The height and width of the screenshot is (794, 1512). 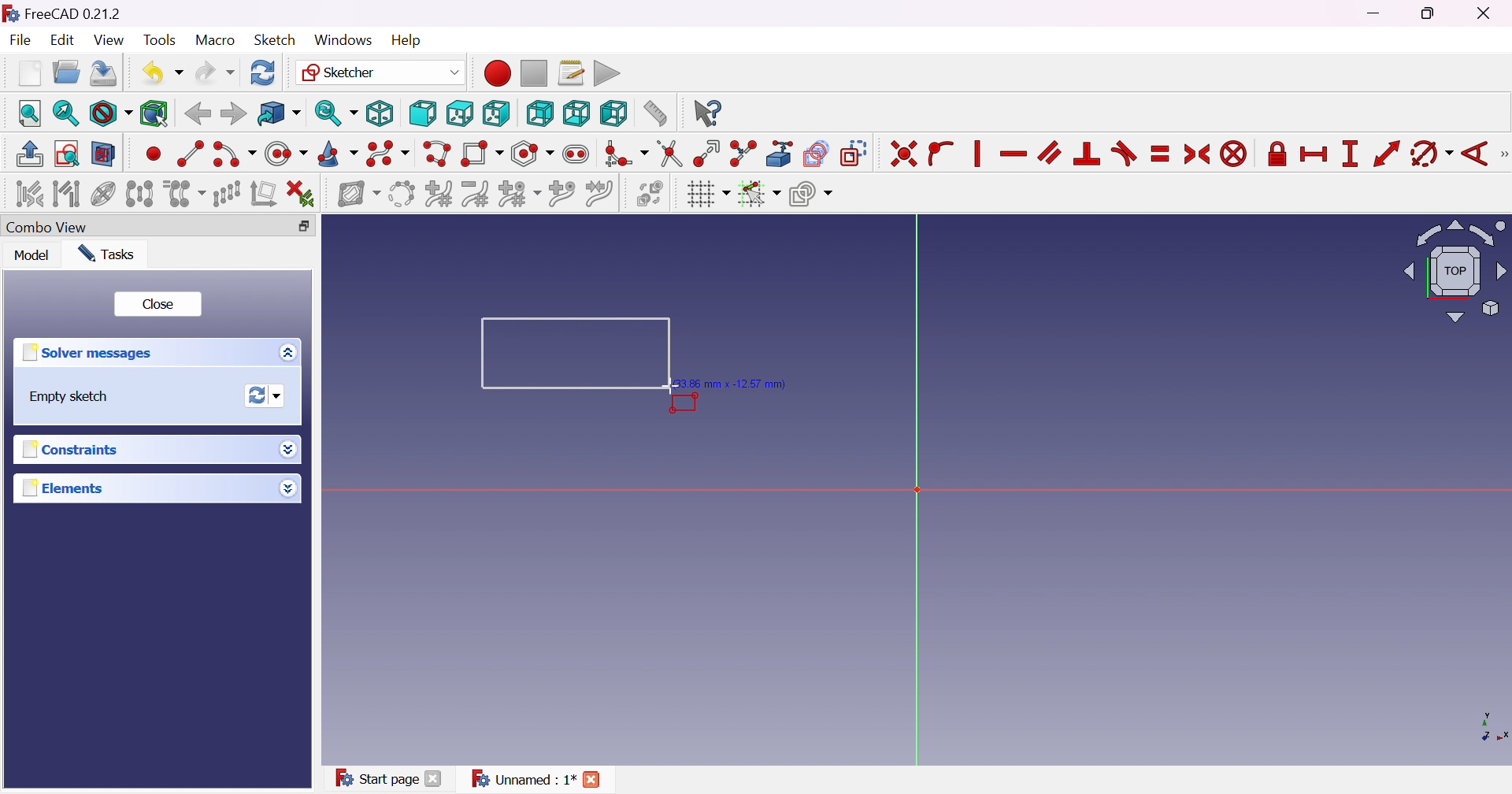 What do you see at coordinates (304, 227) in the screenshot?
I see `Restore down` at bounding box center [304, 227].